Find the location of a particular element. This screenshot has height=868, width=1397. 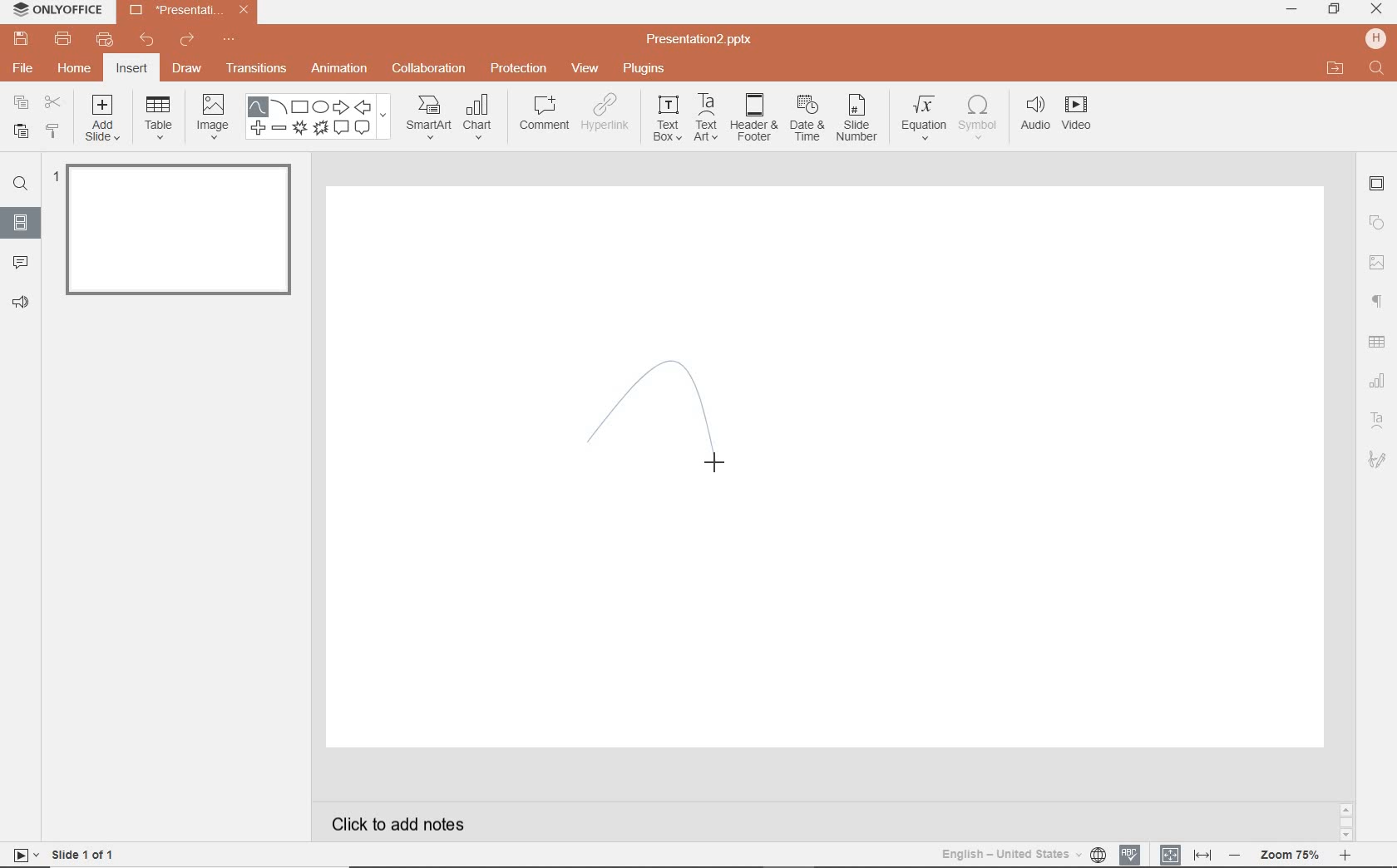

ZOOM is located at coordinates (1298, 855).